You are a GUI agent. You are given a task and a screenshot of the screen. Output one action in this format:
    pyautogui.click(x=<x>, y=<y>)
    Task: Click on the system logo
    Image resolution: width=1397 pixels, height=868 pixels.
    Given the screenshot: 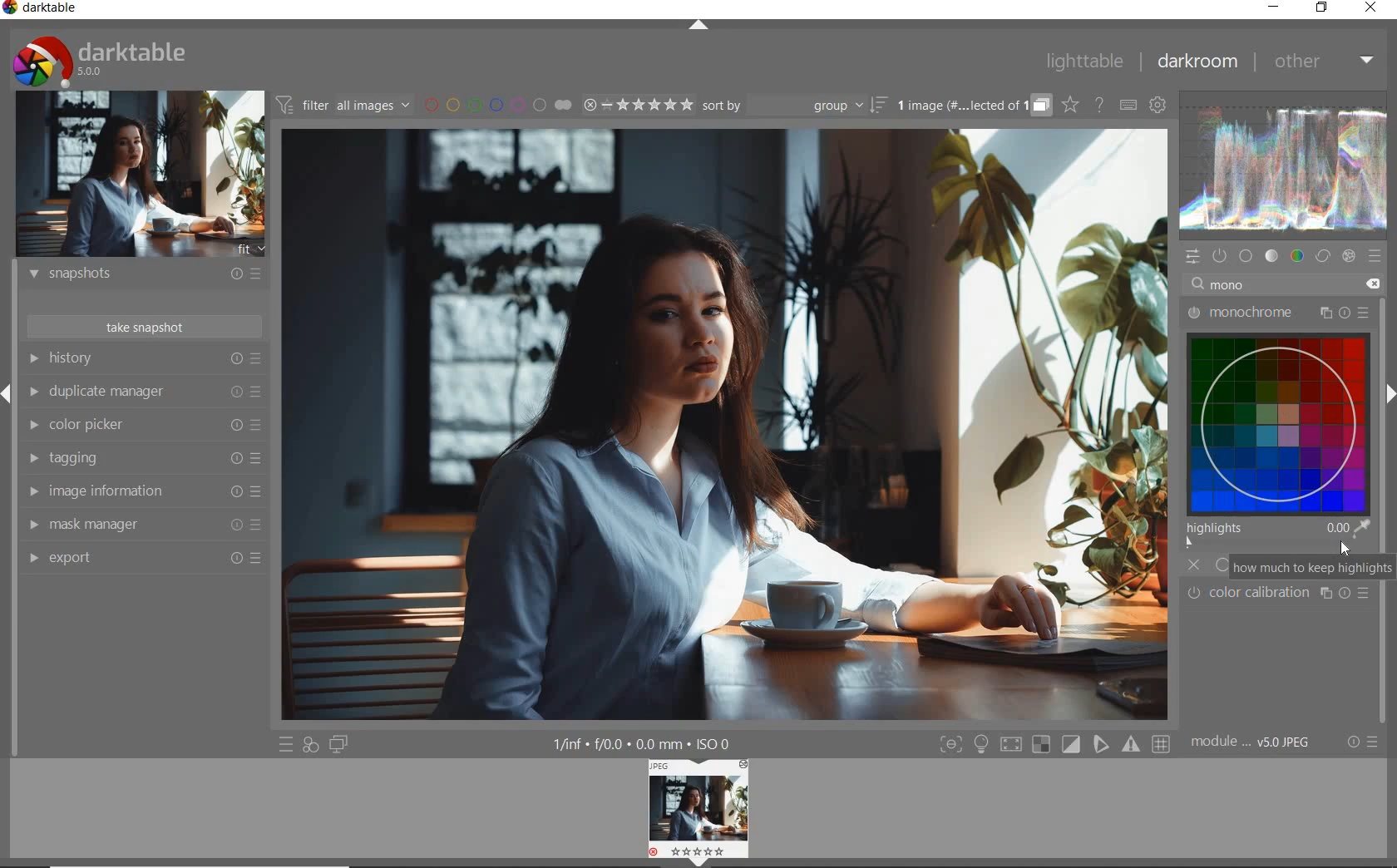 What is the action you would take?
    pyautogui.click(x=101, y=61)
    